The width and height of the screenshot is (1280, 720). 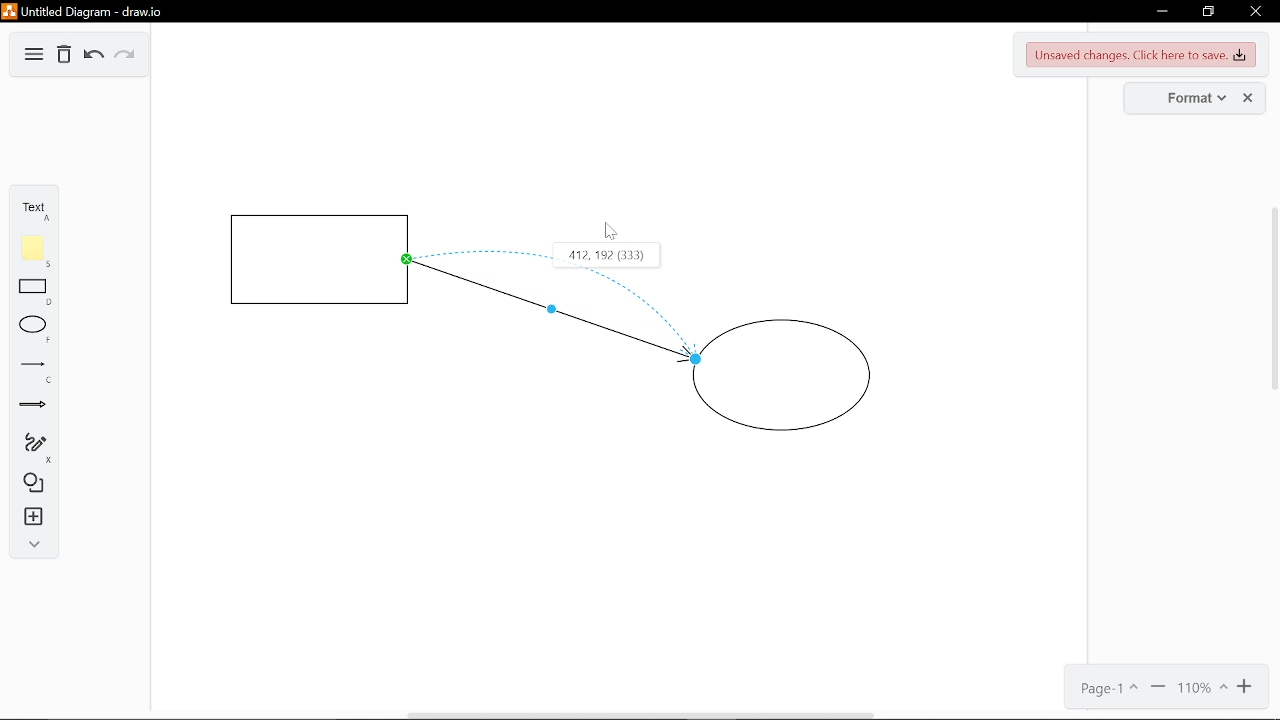 I want to click on Minimize, so click(x=1159, y=10).